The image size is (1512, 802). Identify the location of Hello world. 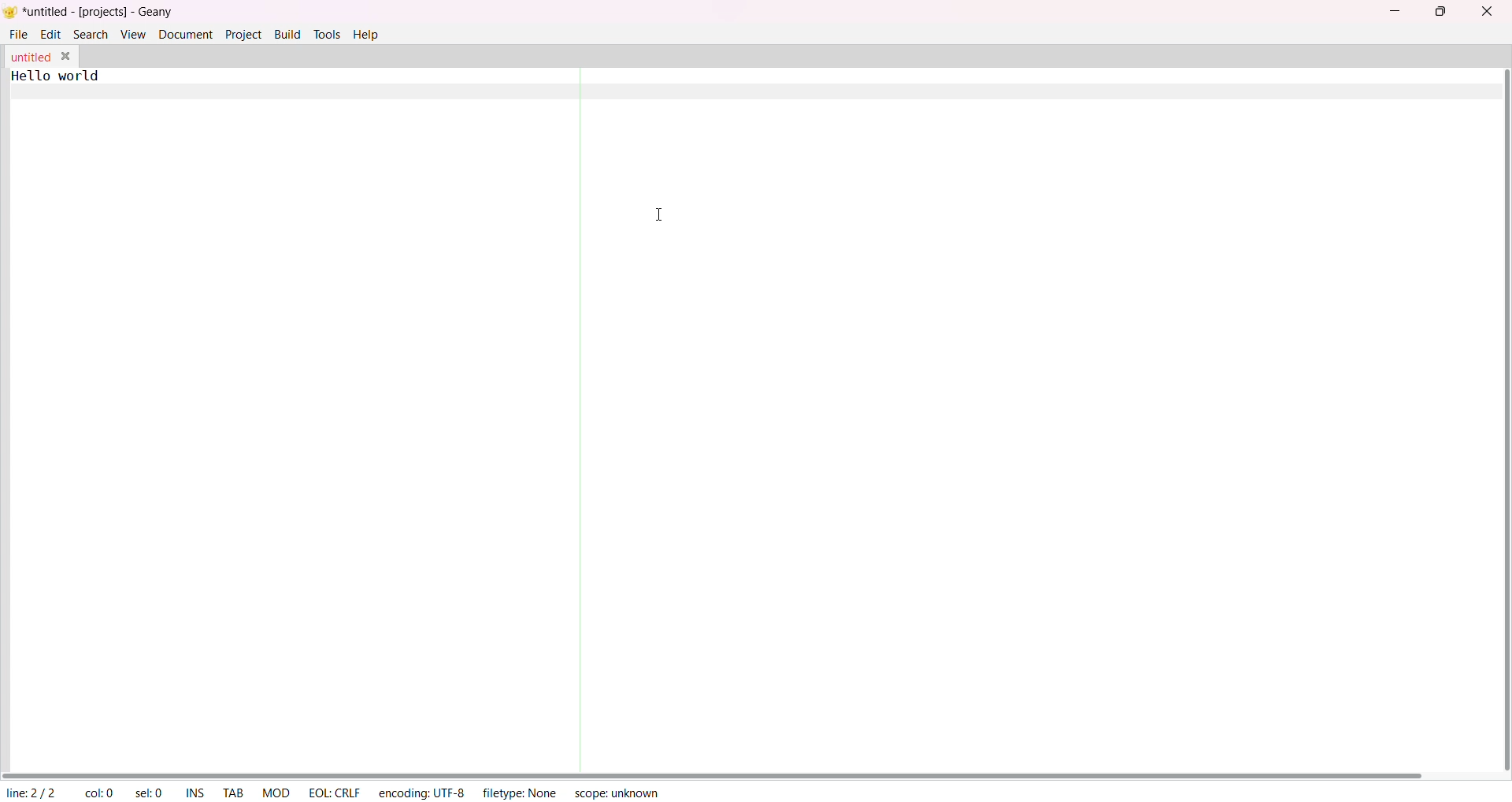
(68, 76).